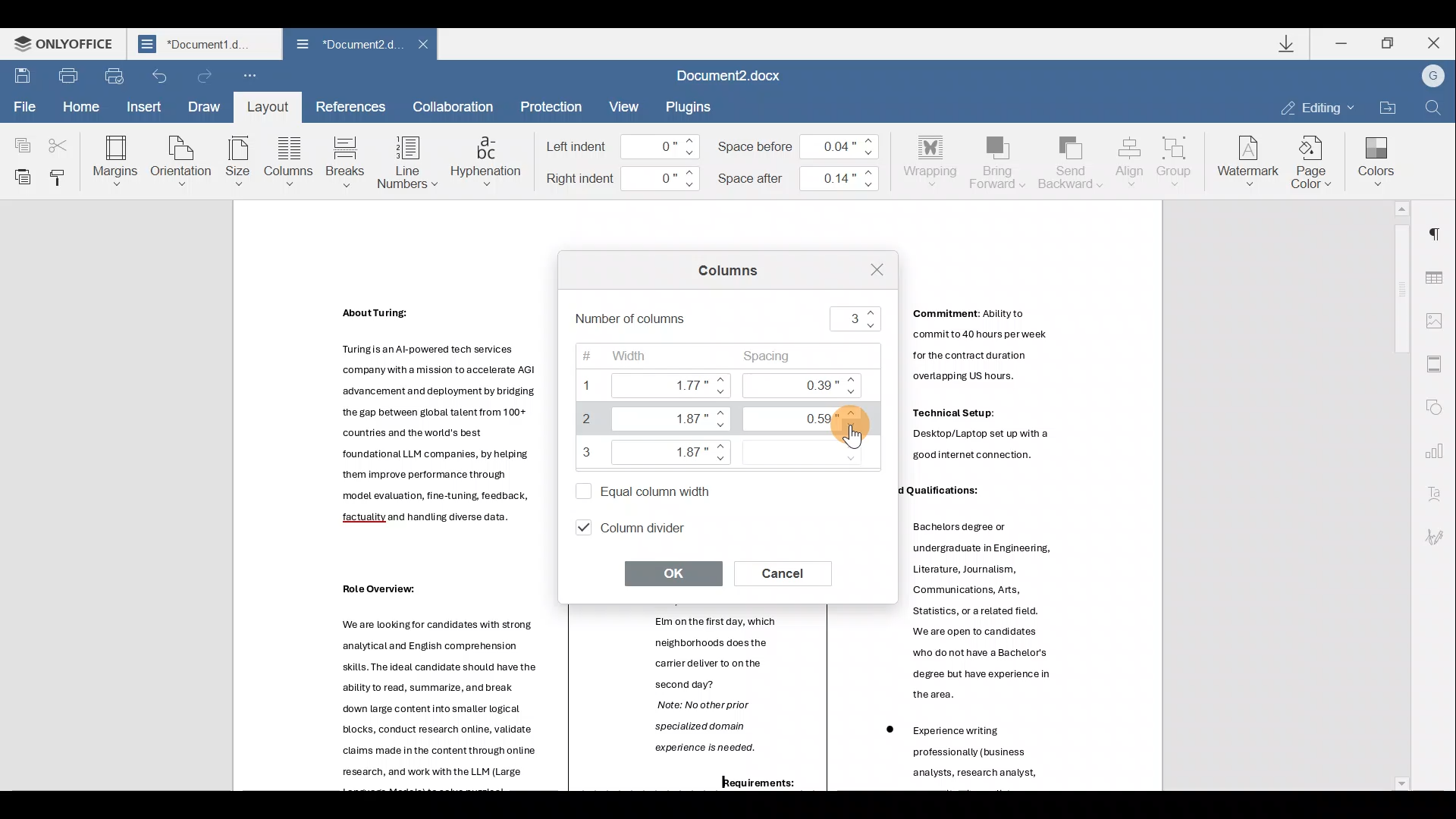 This screenshot has width=1456, height=819. What do you see at coordinates (1177, 157) in the screenshot?
I see `Group` at bounding box center [1177, 157].